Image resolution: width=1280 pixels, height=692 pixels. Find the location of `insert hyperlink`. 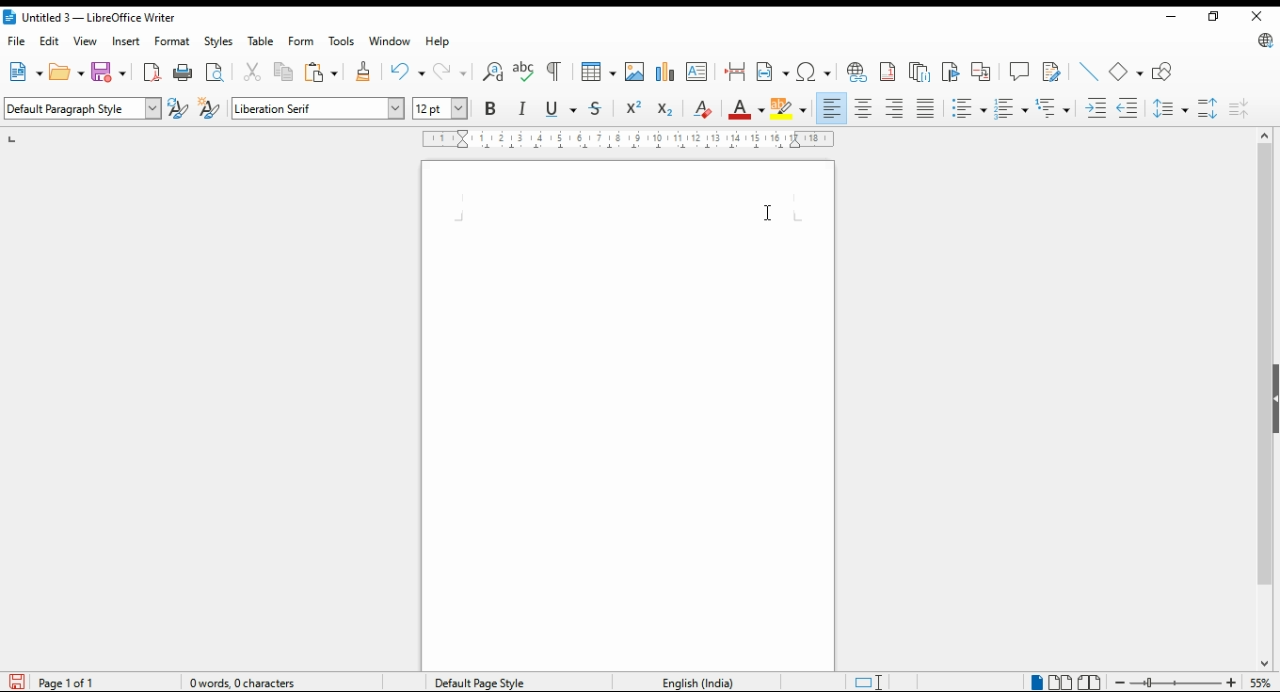

insert hyperlink is located at coordinates (858, 72).